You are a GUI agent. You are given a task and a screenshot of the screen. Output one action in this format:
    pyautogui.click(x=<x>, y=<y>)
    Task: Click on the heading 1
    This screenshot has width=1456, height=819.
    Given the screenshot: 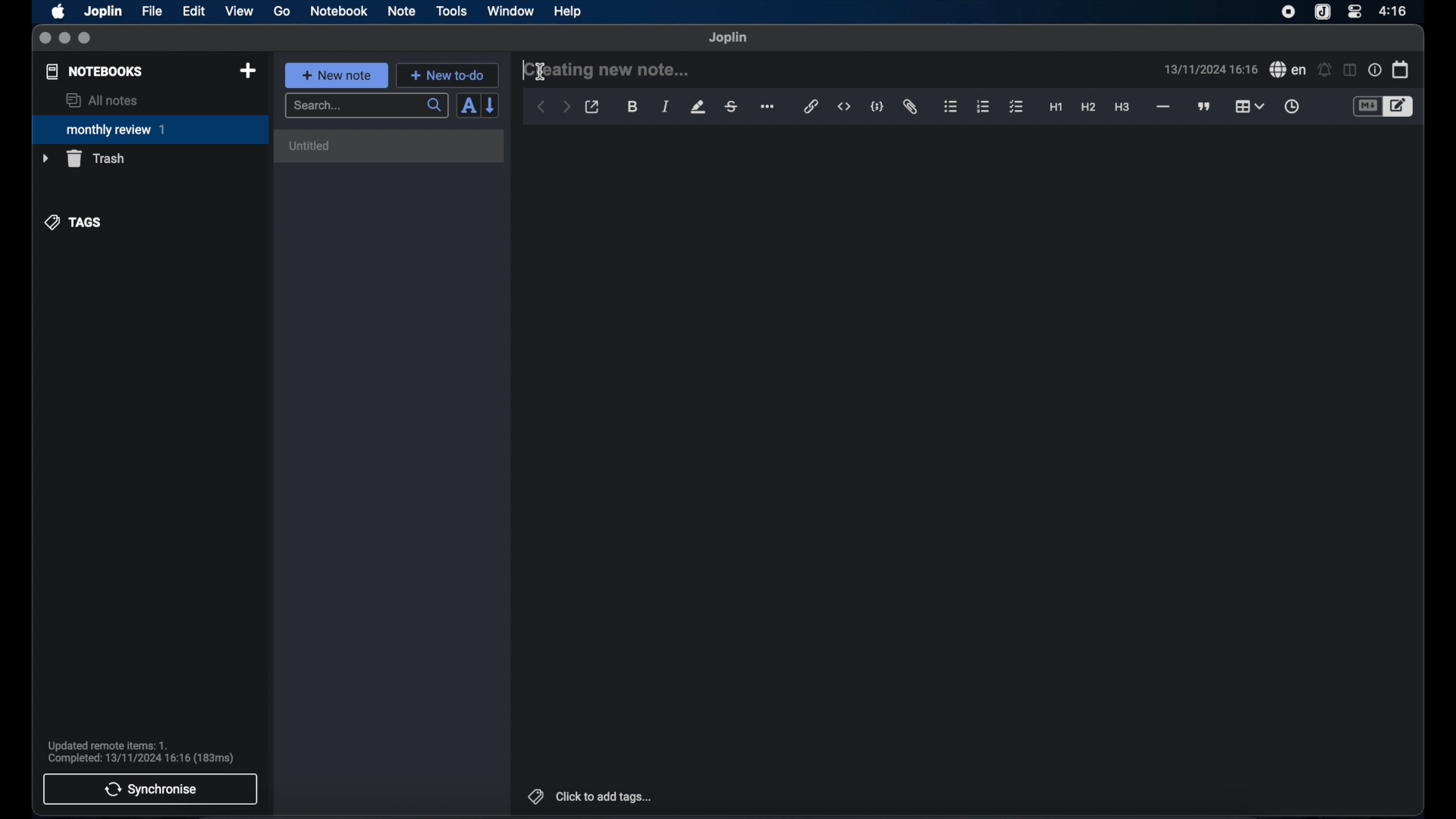 What is the action you would take?
    pyautogui.click(x=1056, y=108)
    